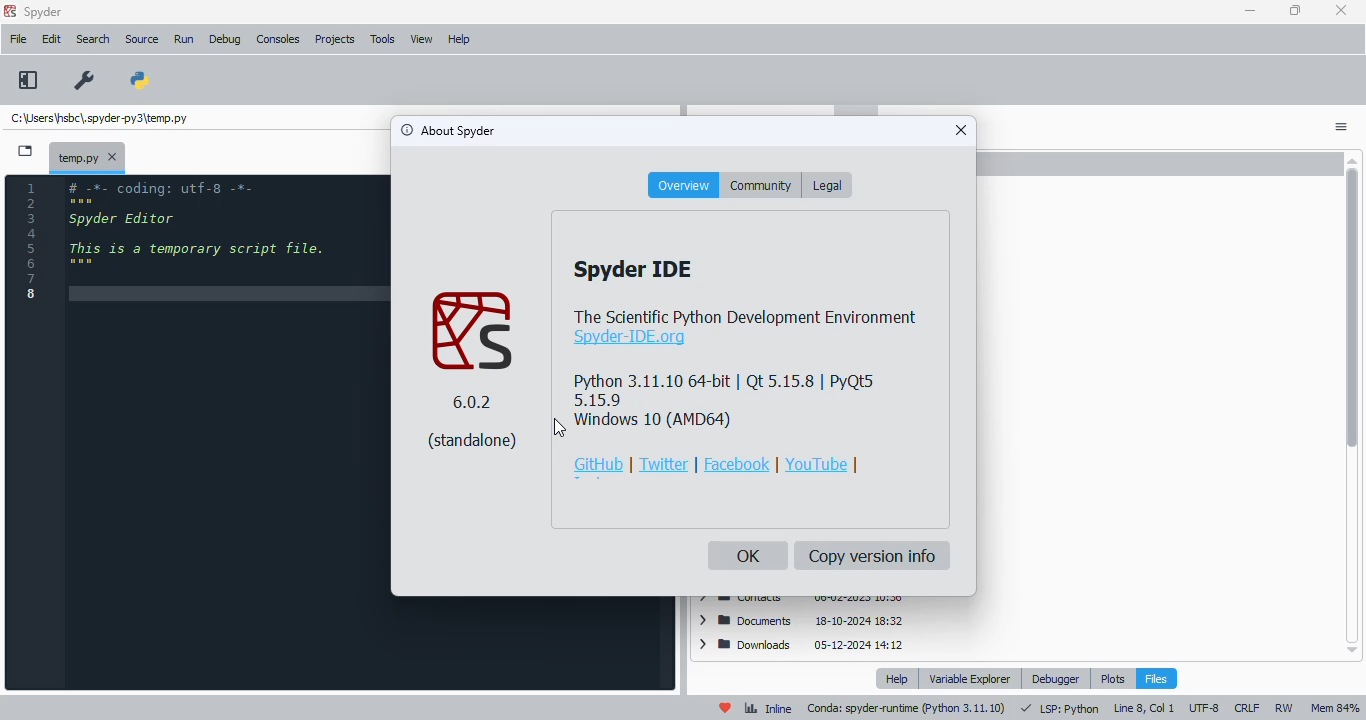  I want to click on legal, so click(826, 185).